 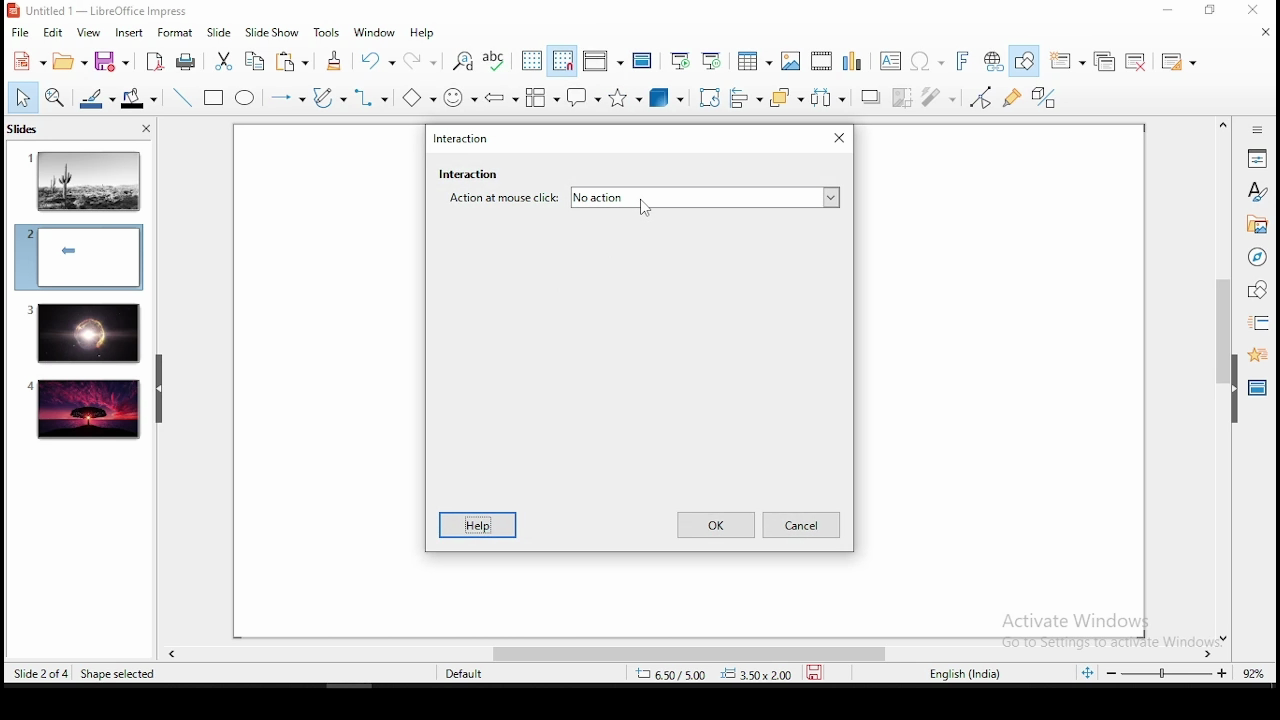 I want to click on zoom tool, so click(x=55, y=99).